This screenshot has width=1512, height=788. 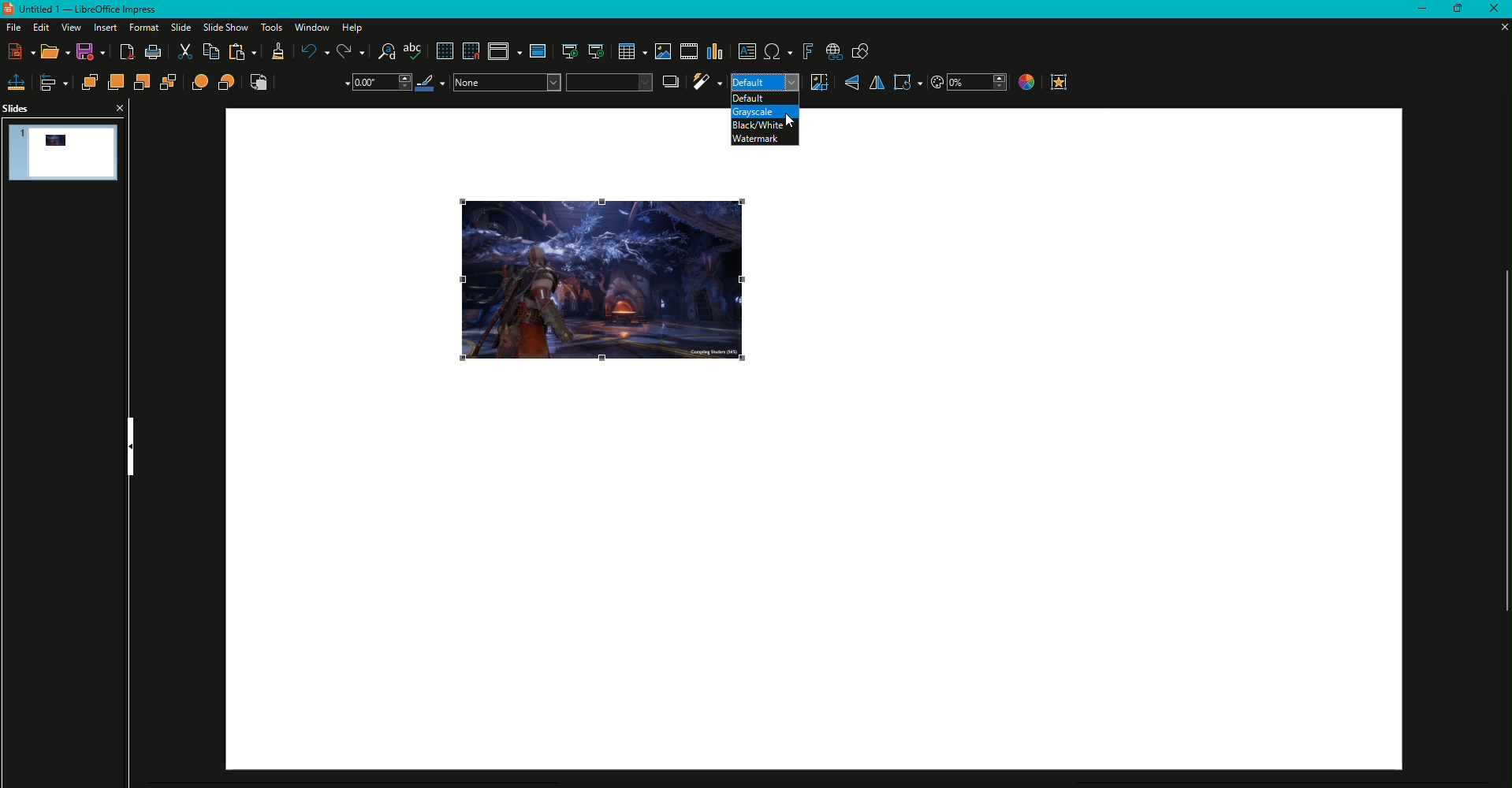 I want to click on Export as PDF, so click(x=128, y=54).